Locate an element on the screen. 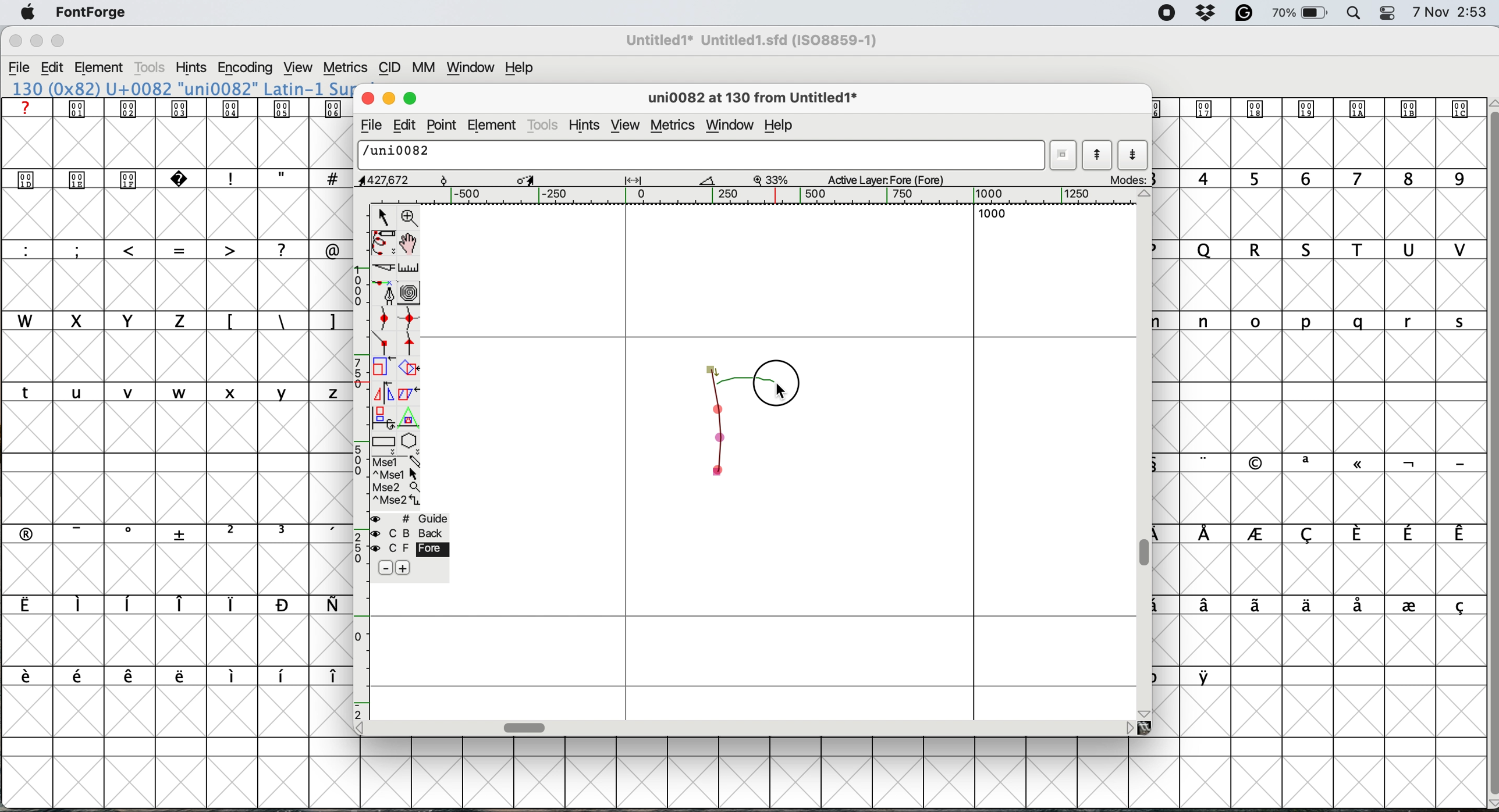  vertical scale is located at coordinates (358, 461).